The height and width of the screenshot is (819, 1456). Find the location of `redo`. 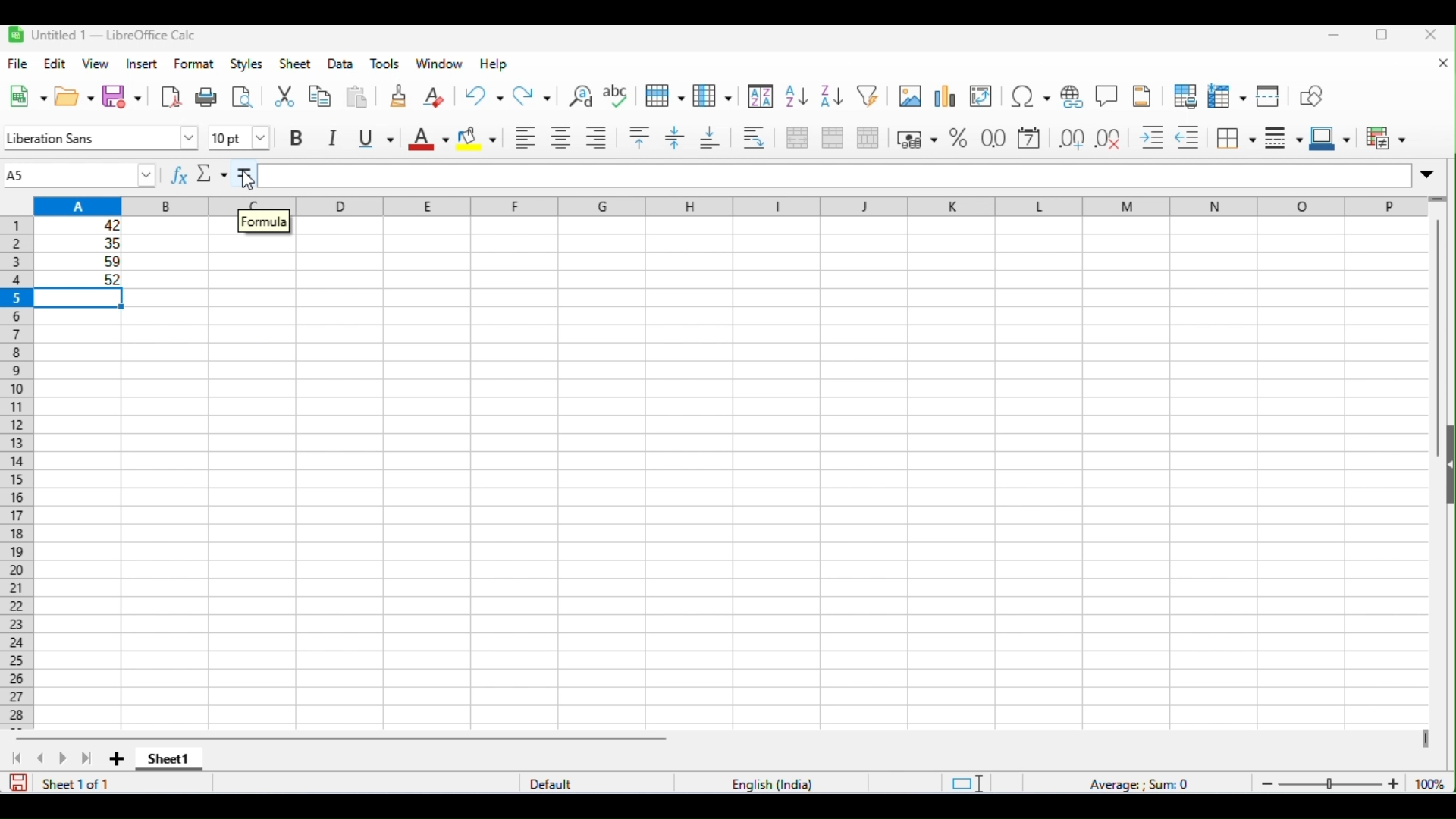

redo is located at coordinates (532, 96).